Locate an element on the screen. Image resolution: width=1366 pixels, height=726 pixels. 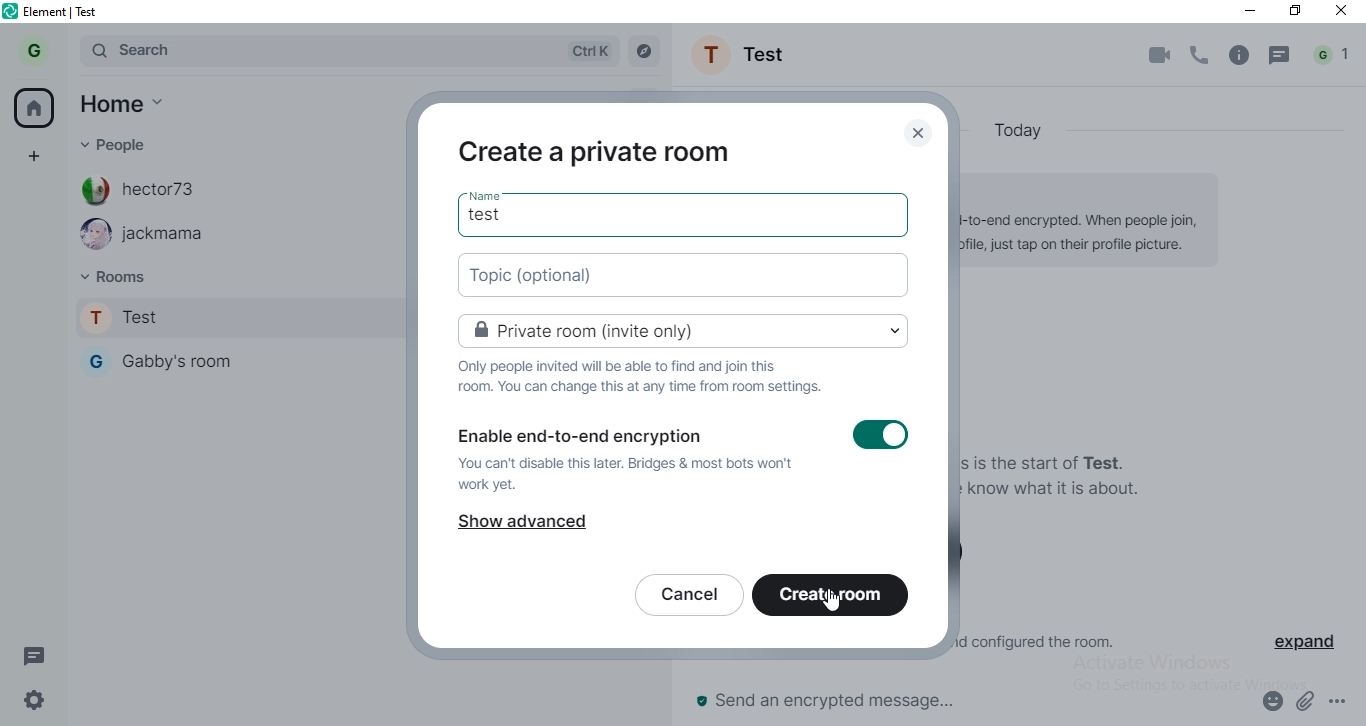
home is located at coordinates (34, 104).